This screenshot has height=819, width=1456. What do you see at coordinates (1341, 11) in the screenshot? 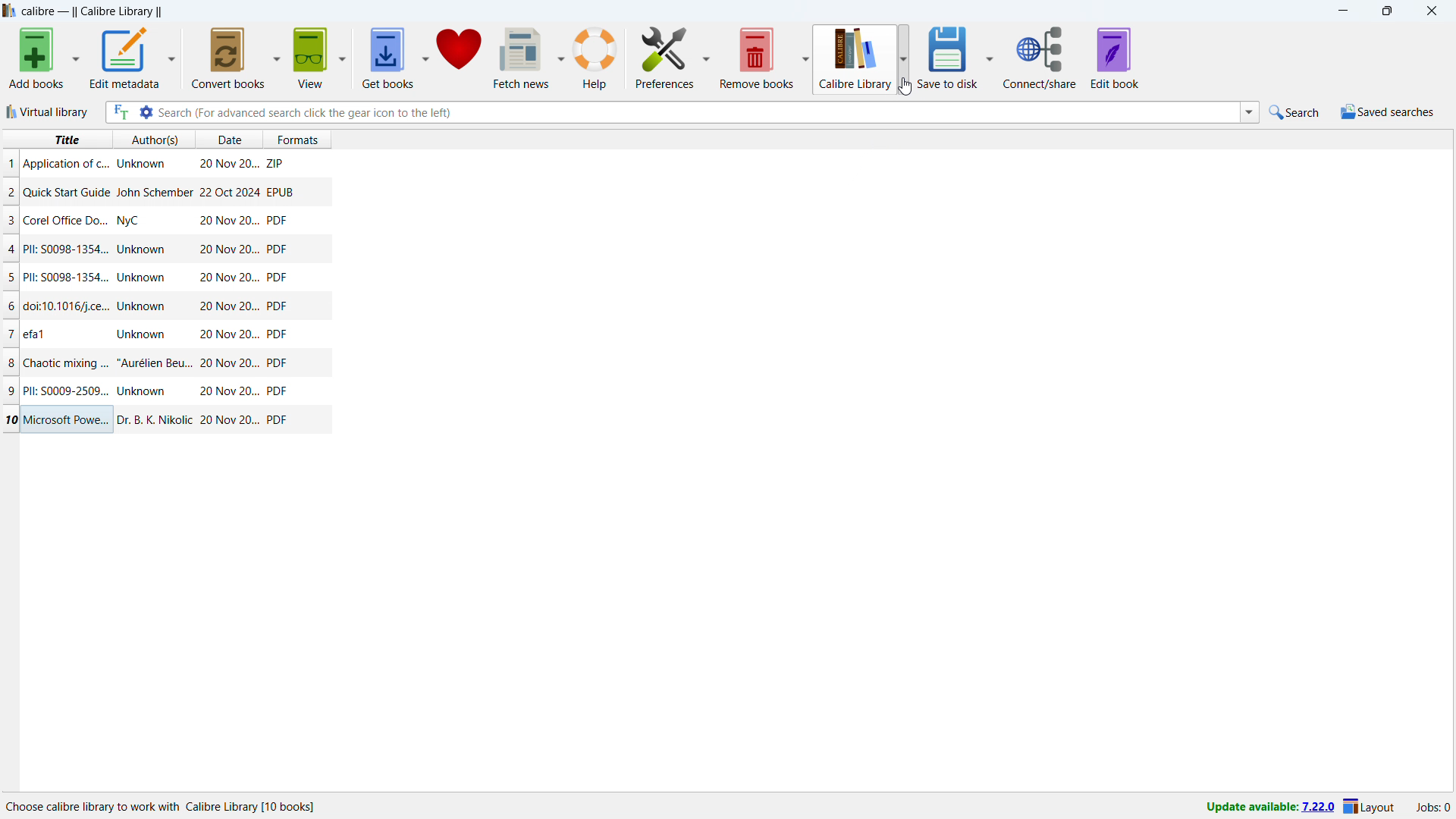
I see `minimize` at bounding box center [1341, 11].